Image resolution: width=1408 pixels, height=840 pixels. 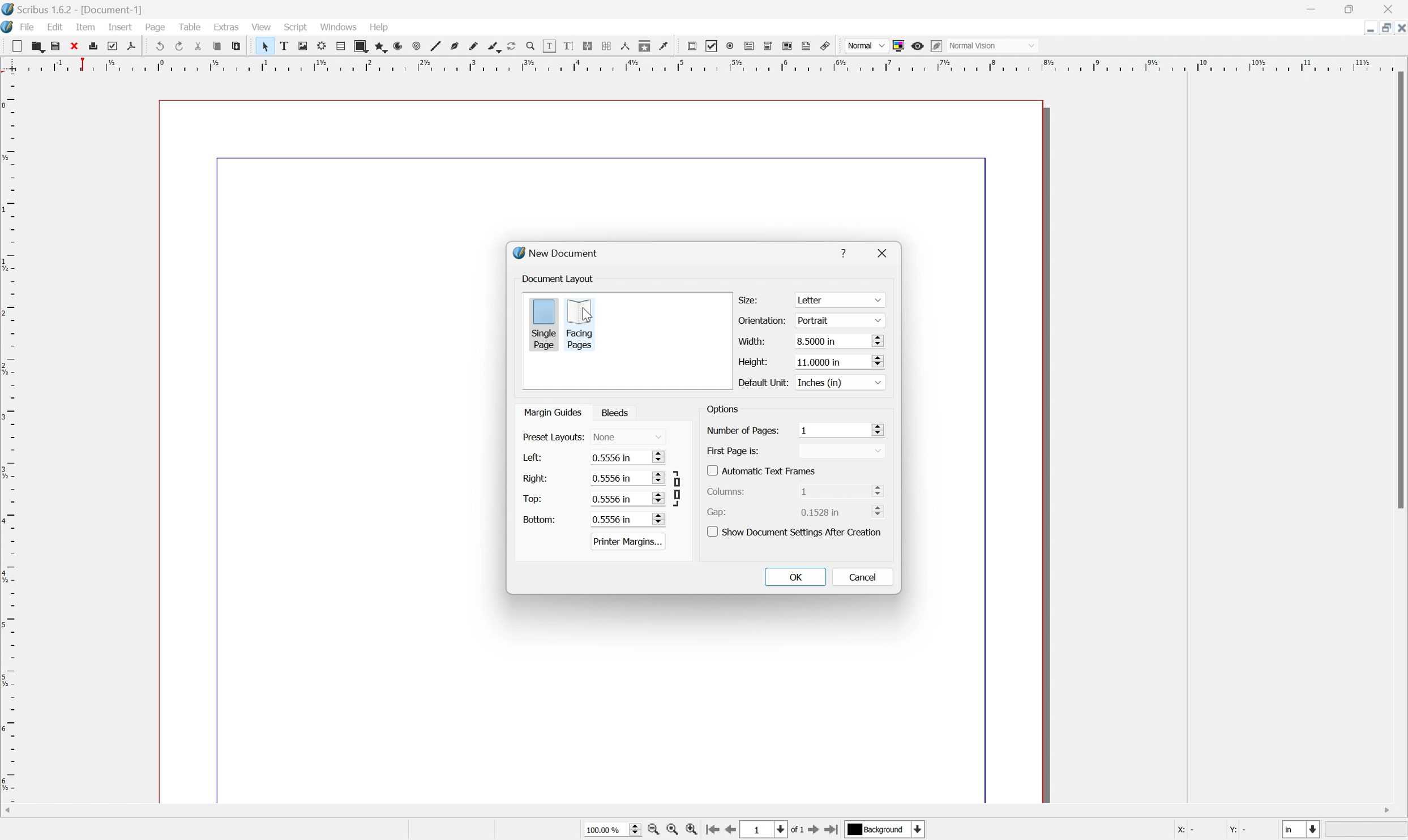 I want to click on Link text text frames, so click(x=590, y=46).